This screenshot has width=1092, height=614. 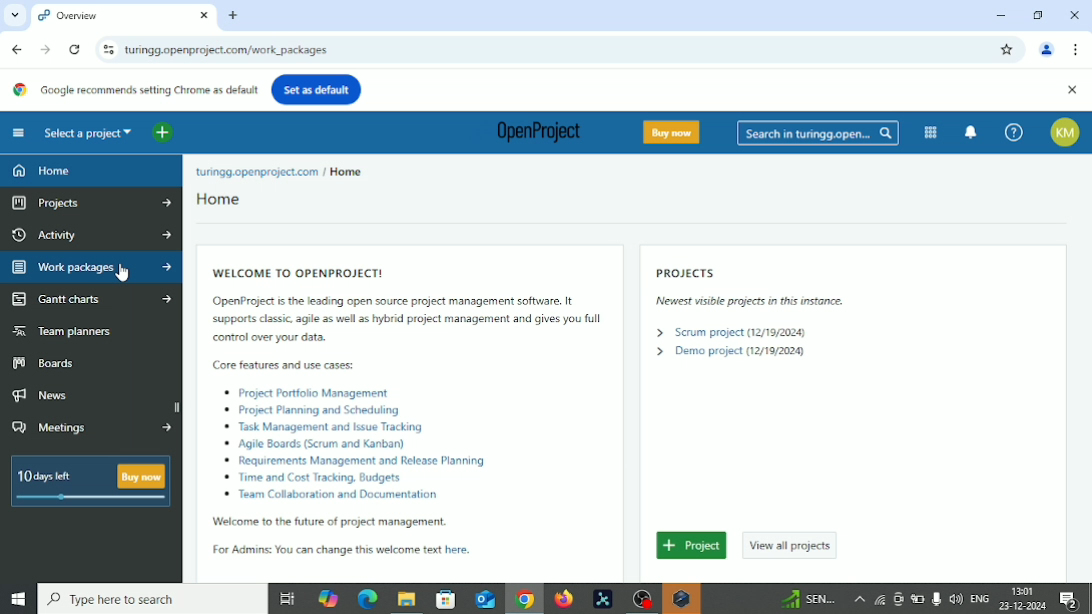 I want to click on ‘Welcome to the future of project management., so click(x=316, y=521).